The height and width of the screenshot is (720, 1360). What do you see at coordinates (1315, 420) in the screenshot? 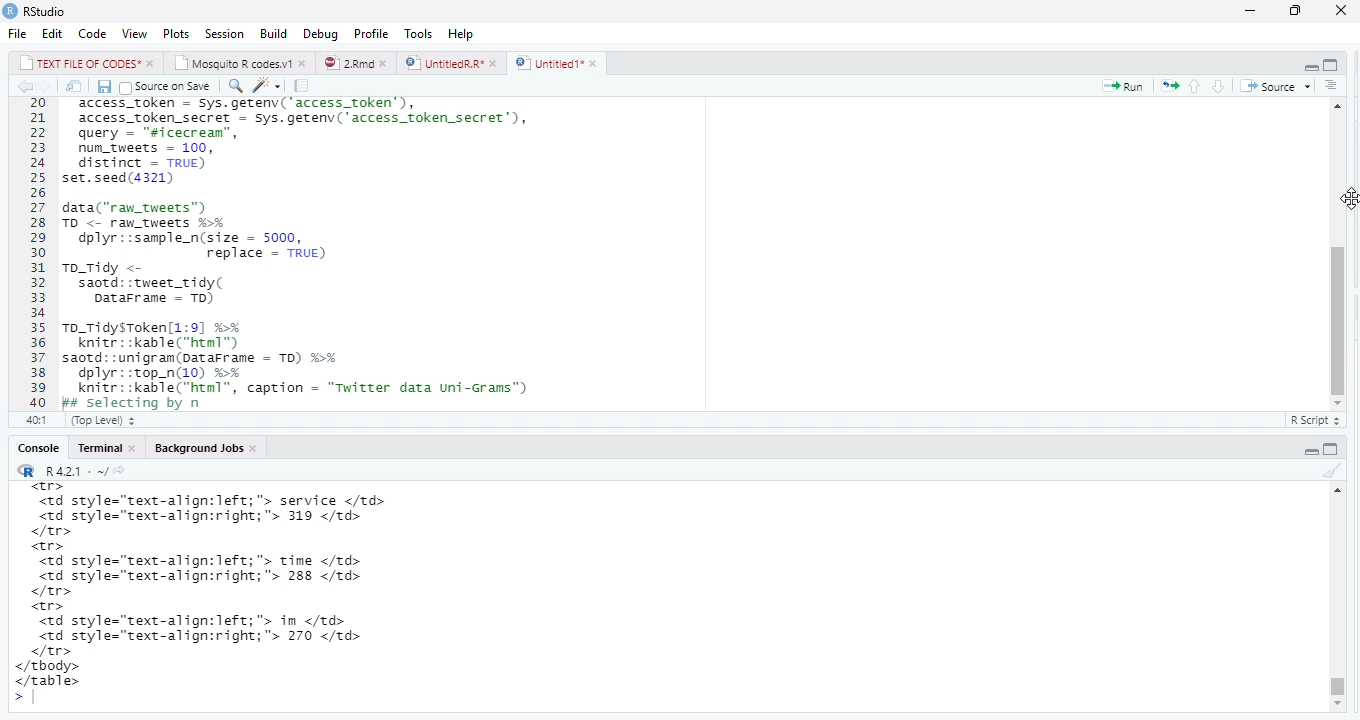
I see `R Script =` at bounding box center [1315, 420].